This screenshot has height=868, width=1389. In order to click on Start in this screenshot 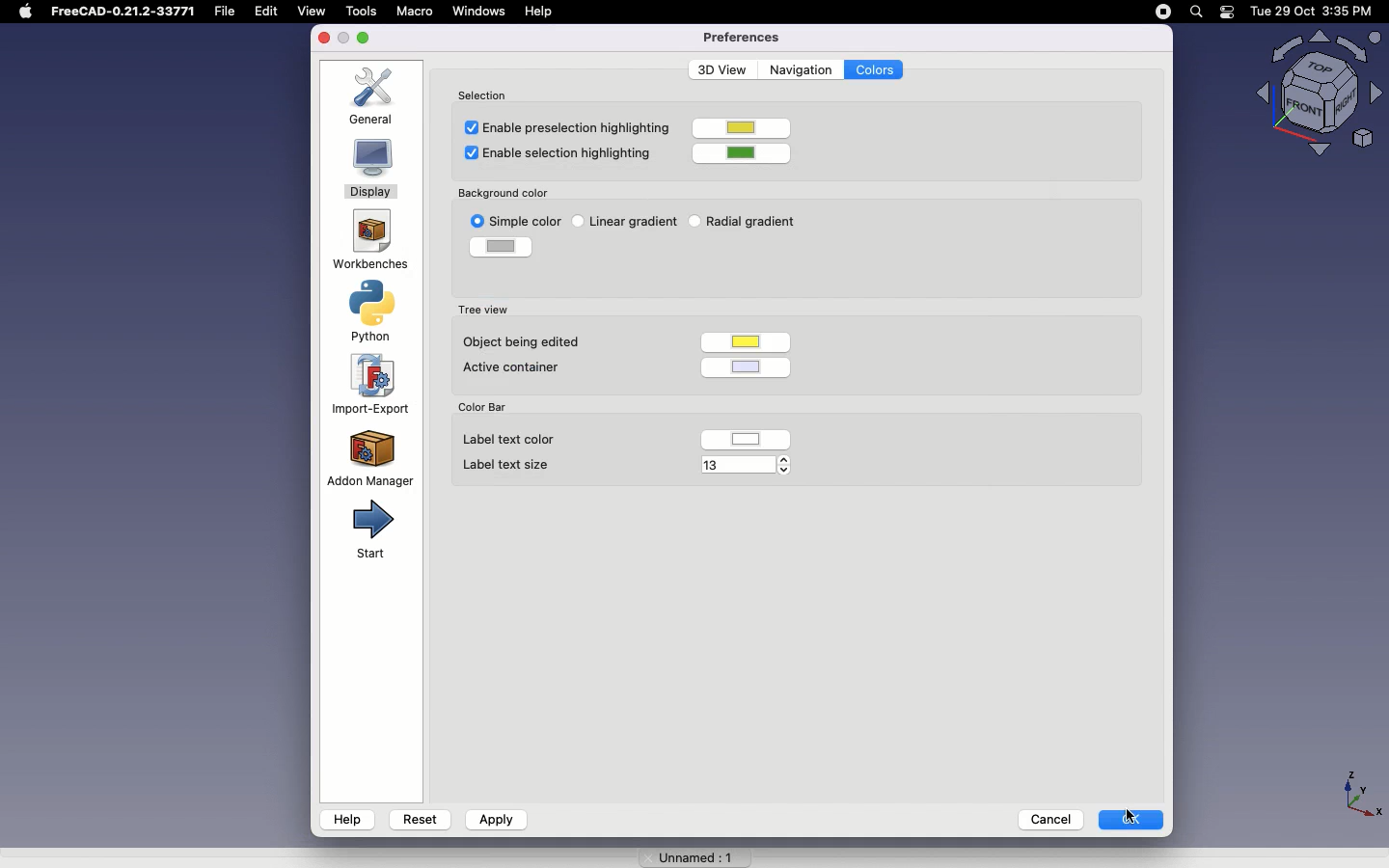, I will do `click(369, 530)`.